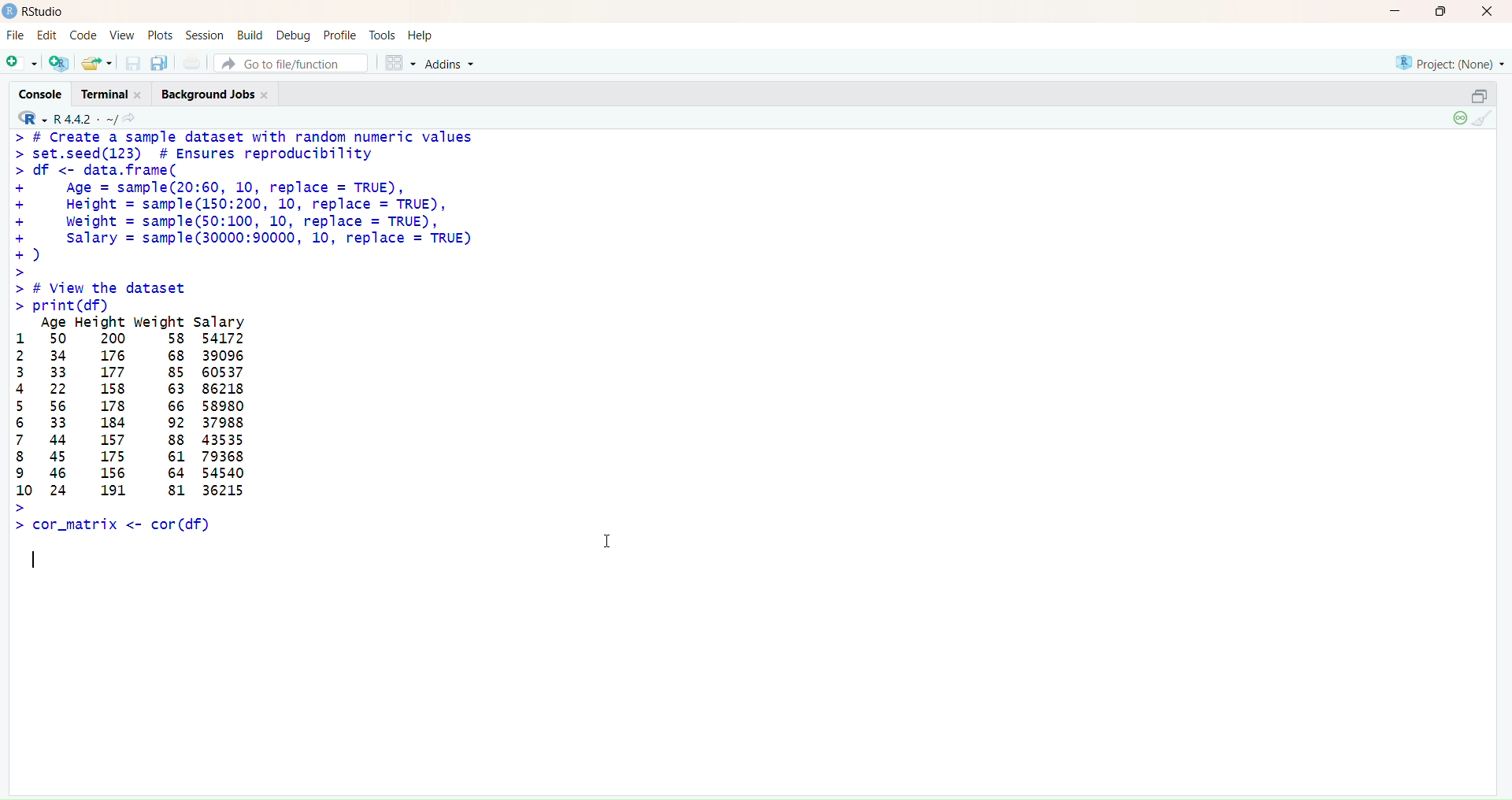 This screenshot has width=1512, height=800. Describe the element at coordinates (28, 117) in the screenshot. I see `RStudio logo` at that location.